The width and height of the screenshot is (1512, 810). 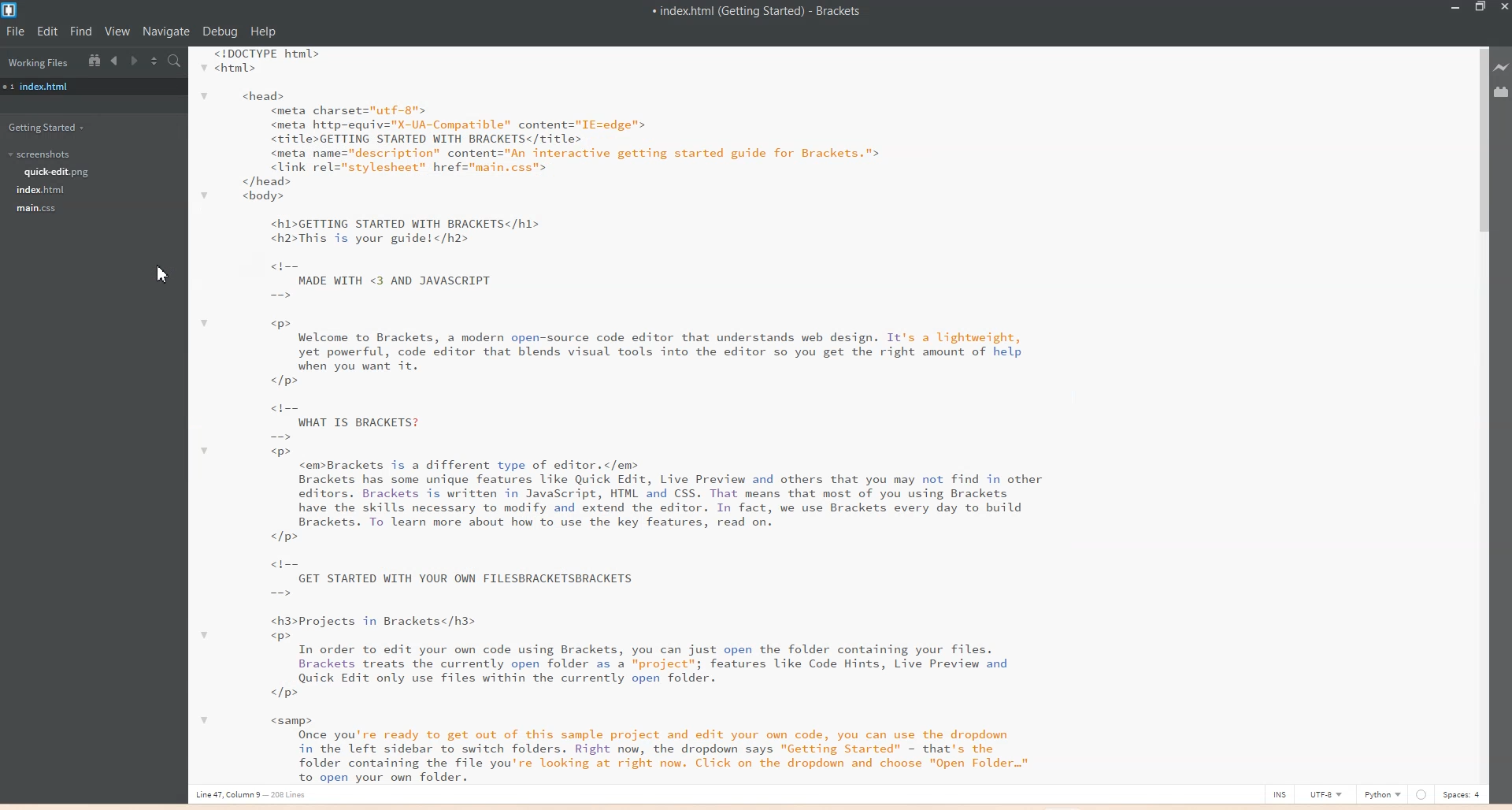 What do you see at coordinates (37, 208) in the screenshot?
I see `main.css` at bounding box center [37, 208].